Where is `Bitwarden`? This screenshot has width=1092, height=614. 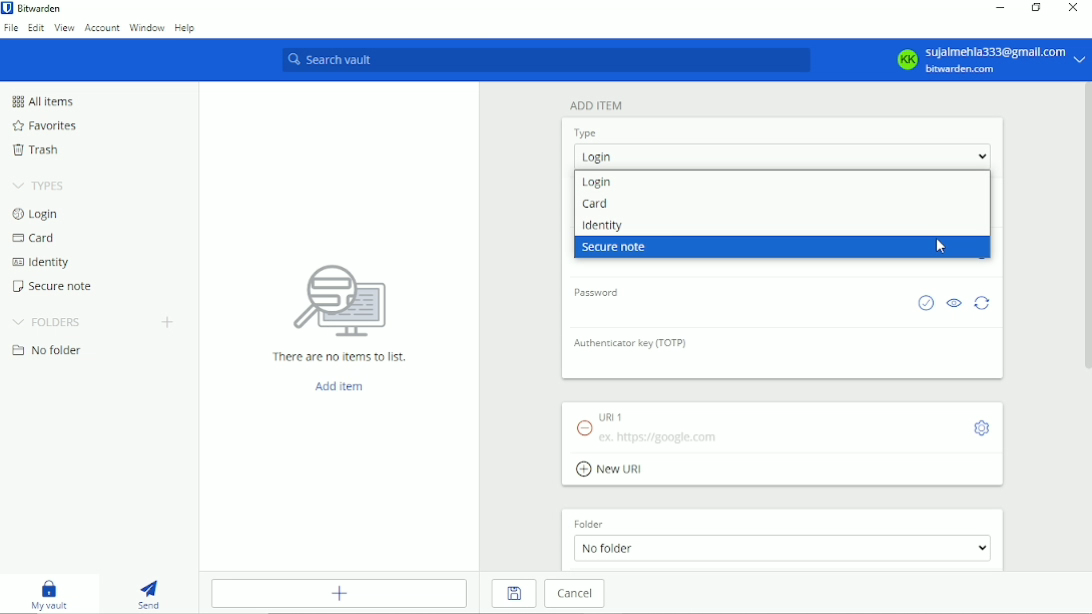 Bitwarden is located at coordinates (35, 8).